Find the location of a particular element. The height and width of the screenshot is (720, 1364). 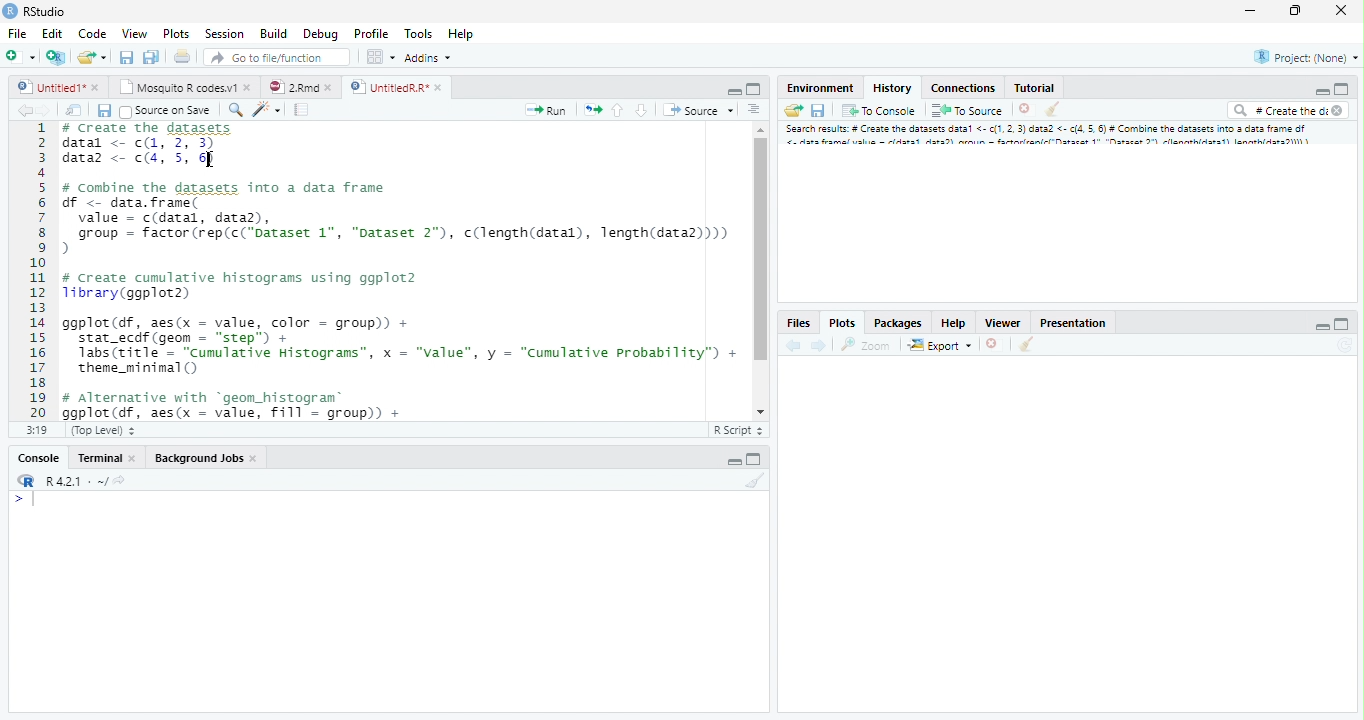

# Create the di is located at coordinates (1286, 112).